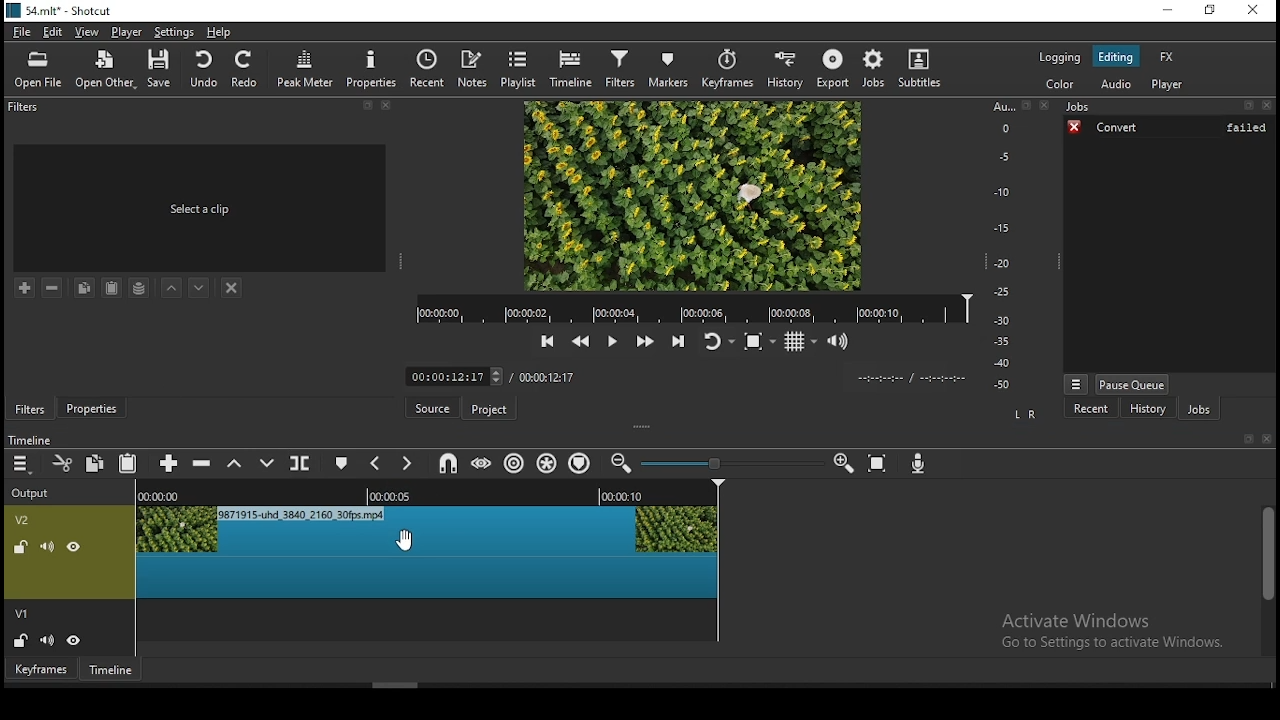 This screenshot has width=1280, height=720. Describe the element at coordinates (427, 555) in the screenshot. I see `video track 2` at that location.